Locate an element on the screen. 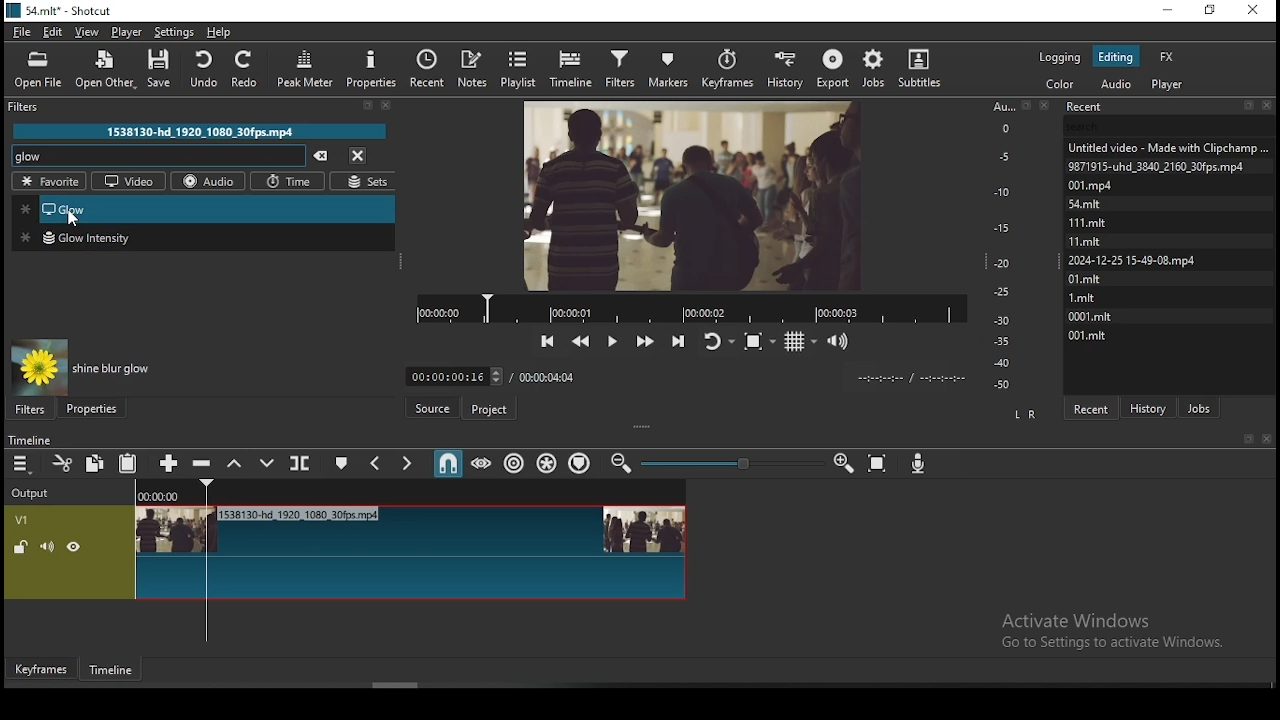  peak meter is located at coordinates (371, 68).